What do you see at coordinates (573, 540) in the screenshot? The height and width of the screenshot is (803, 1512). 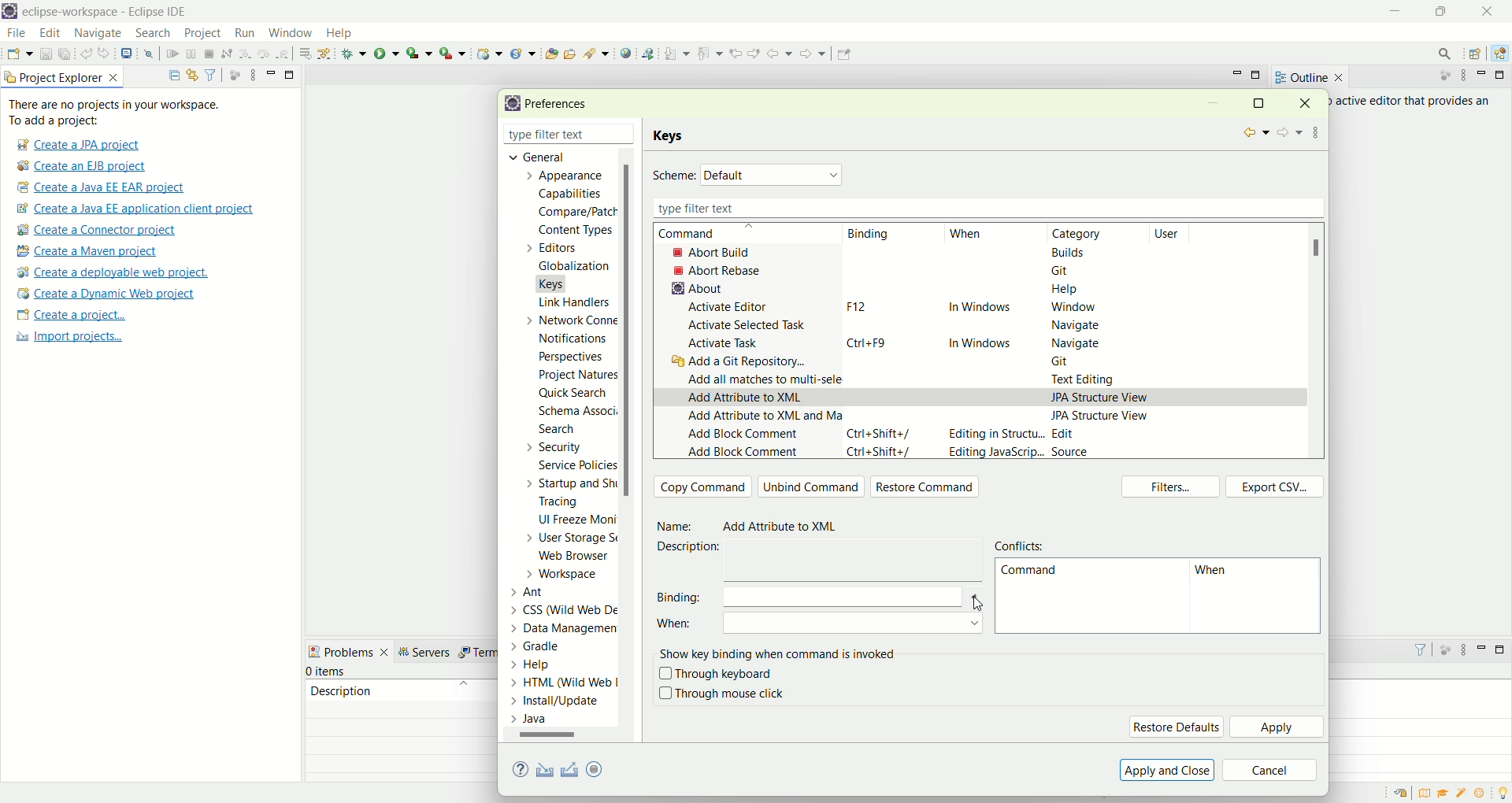 I see `user storage service` at bounding box center [573, 540].